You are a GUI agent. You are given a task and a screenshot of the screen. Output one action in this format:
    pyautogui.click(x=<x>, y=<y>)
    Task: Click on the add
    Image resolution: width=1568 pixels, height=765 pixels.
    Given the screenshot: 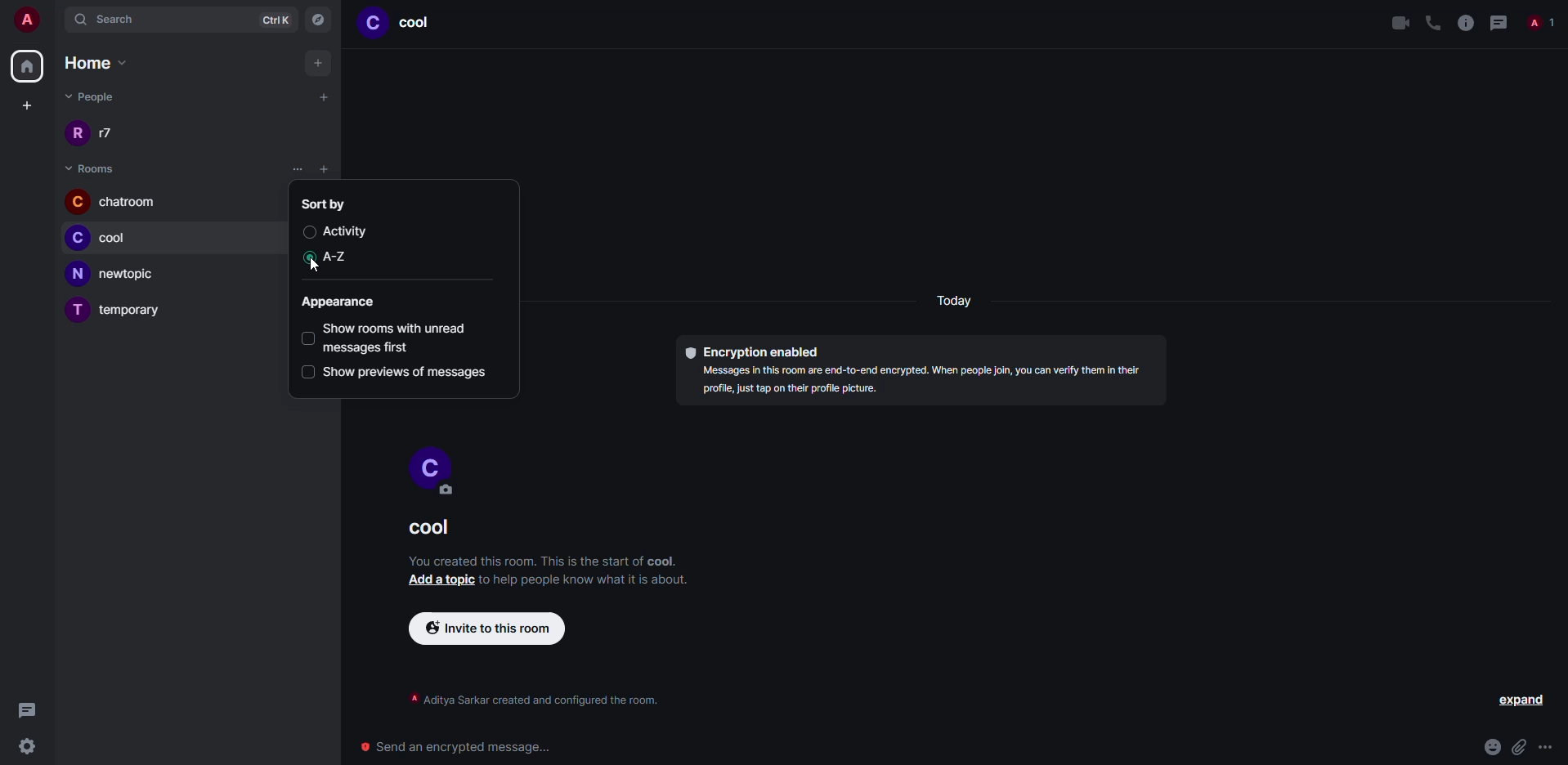 What is the action you would take?
    pyautogui.click(x=320, y=98)
    